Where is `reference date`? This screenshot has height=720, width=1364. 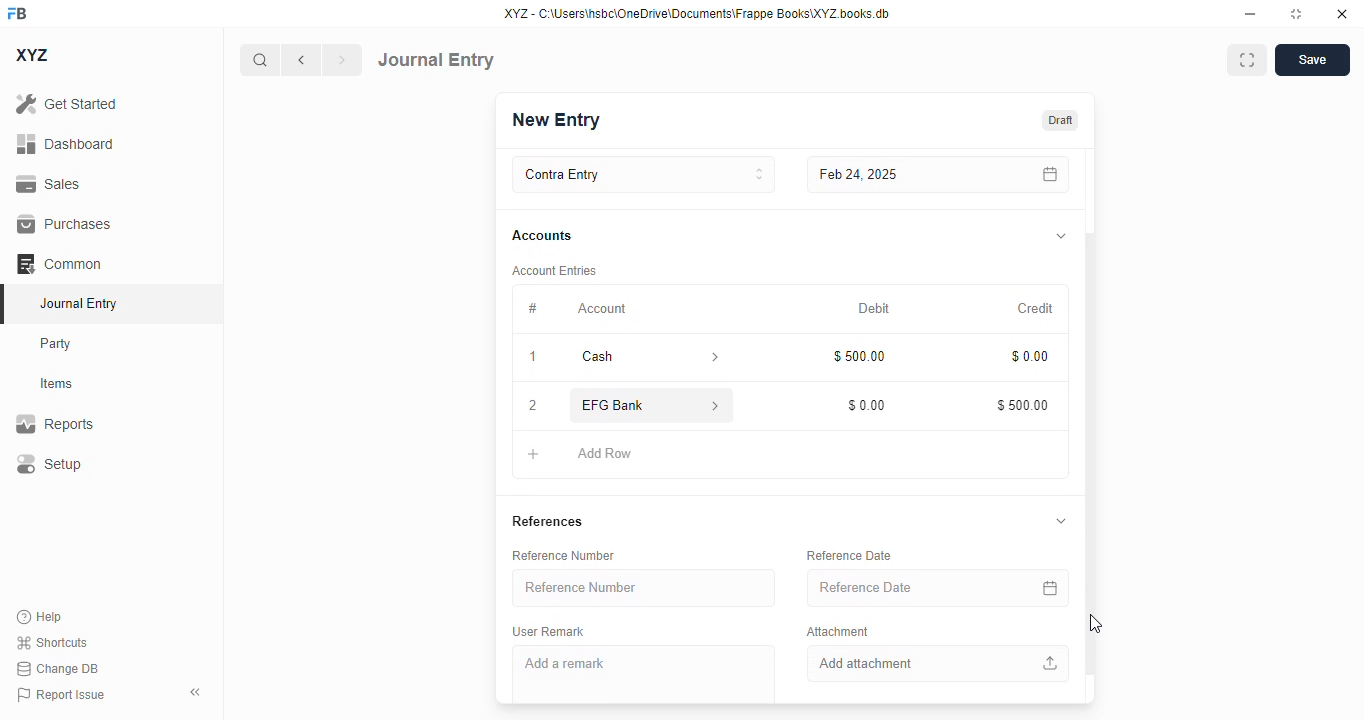 reference date is located at coordinates (850, 555).